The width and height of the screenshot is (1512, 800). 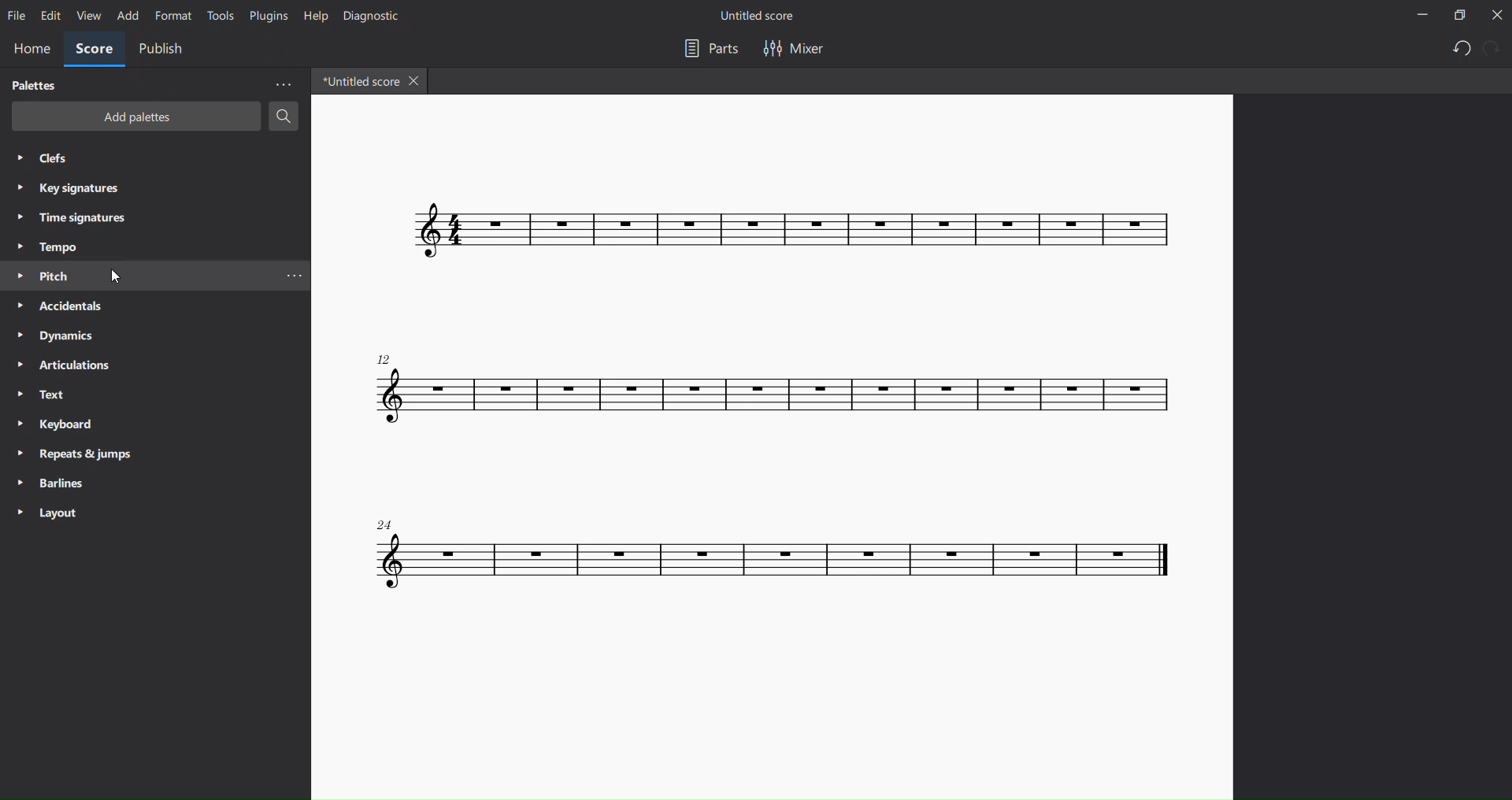 What do you see at coordinates (799, 50) in the screenshot?
I see `mixer` at bounding box center [799, 50].